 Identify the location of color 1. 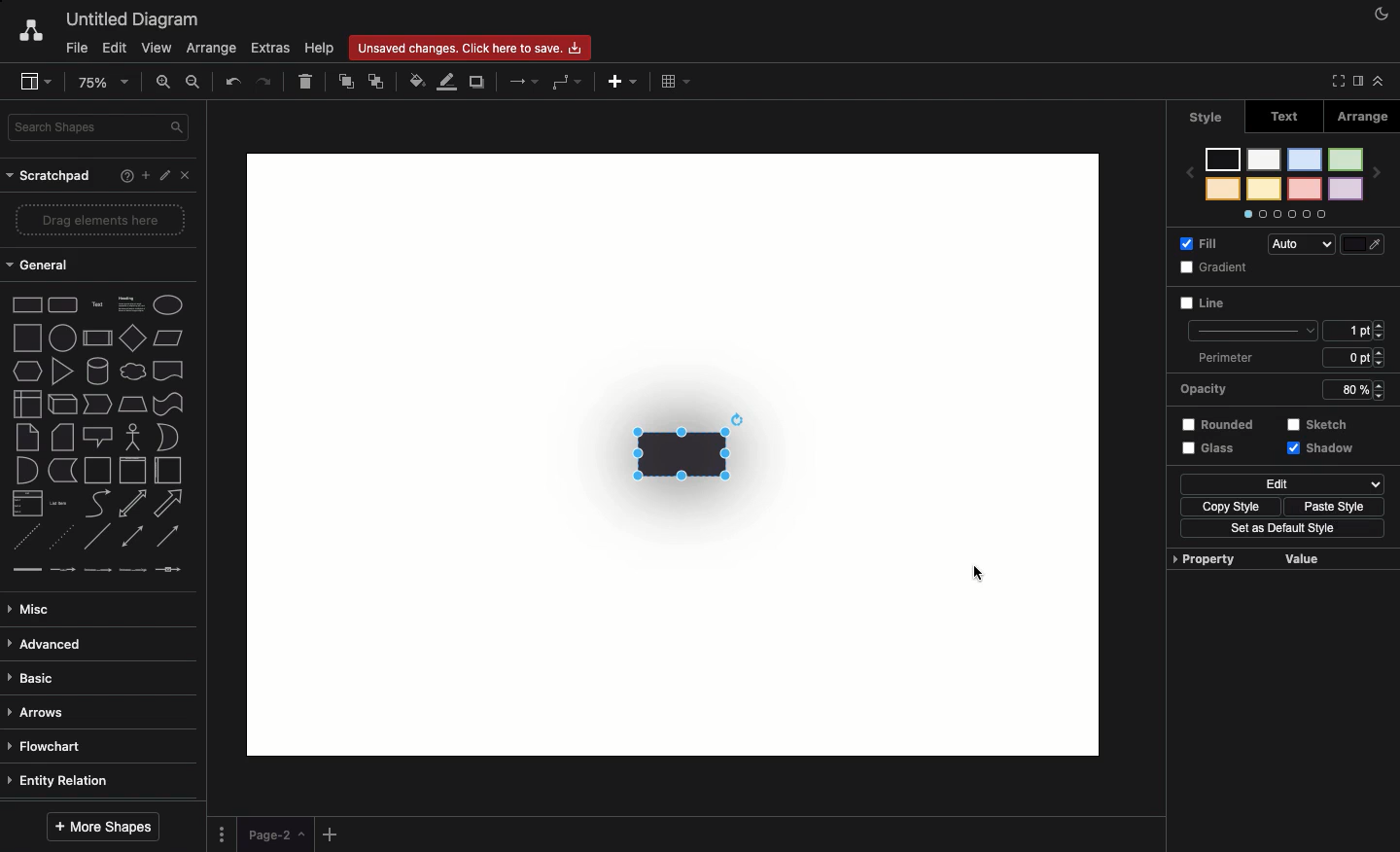
(1346, 160).